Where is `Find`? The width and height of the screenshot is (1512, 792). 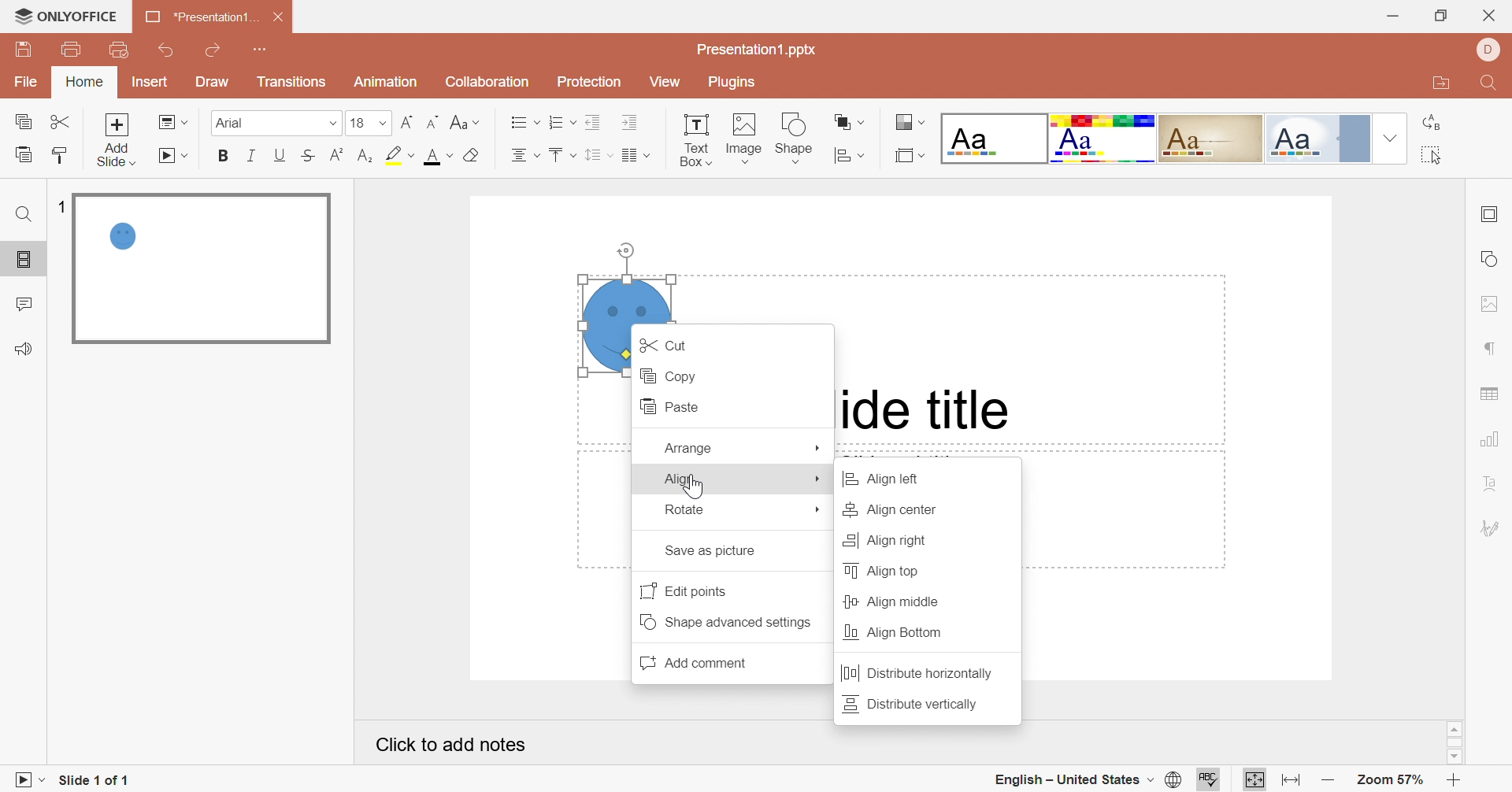 Find is located at coordinates (1487, 86).